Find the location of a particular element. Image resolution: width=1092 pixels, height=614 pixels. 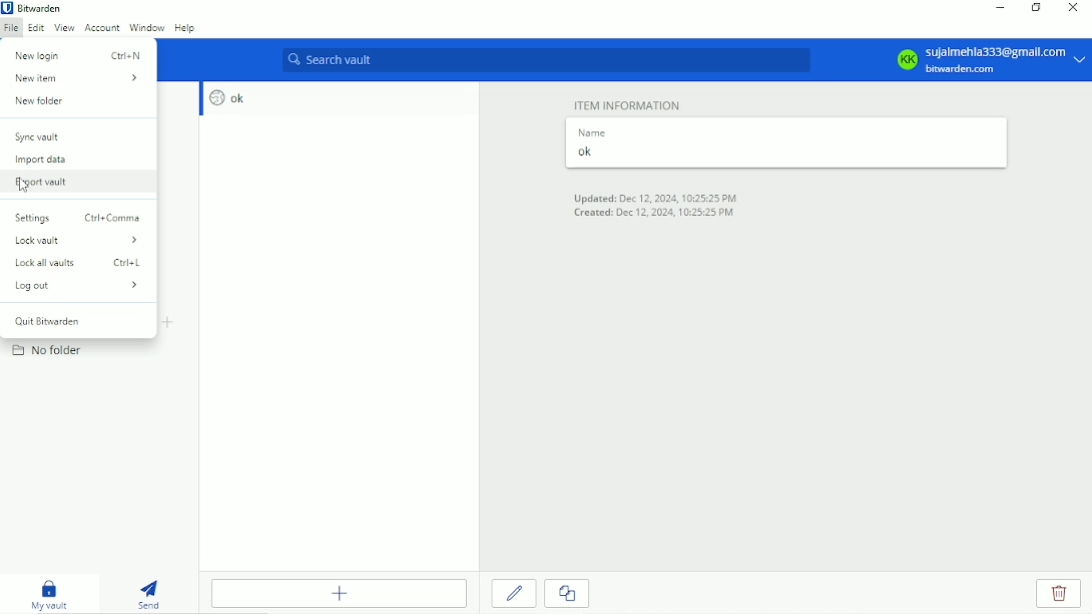

Lock vault is located at coordinates (79, 241).